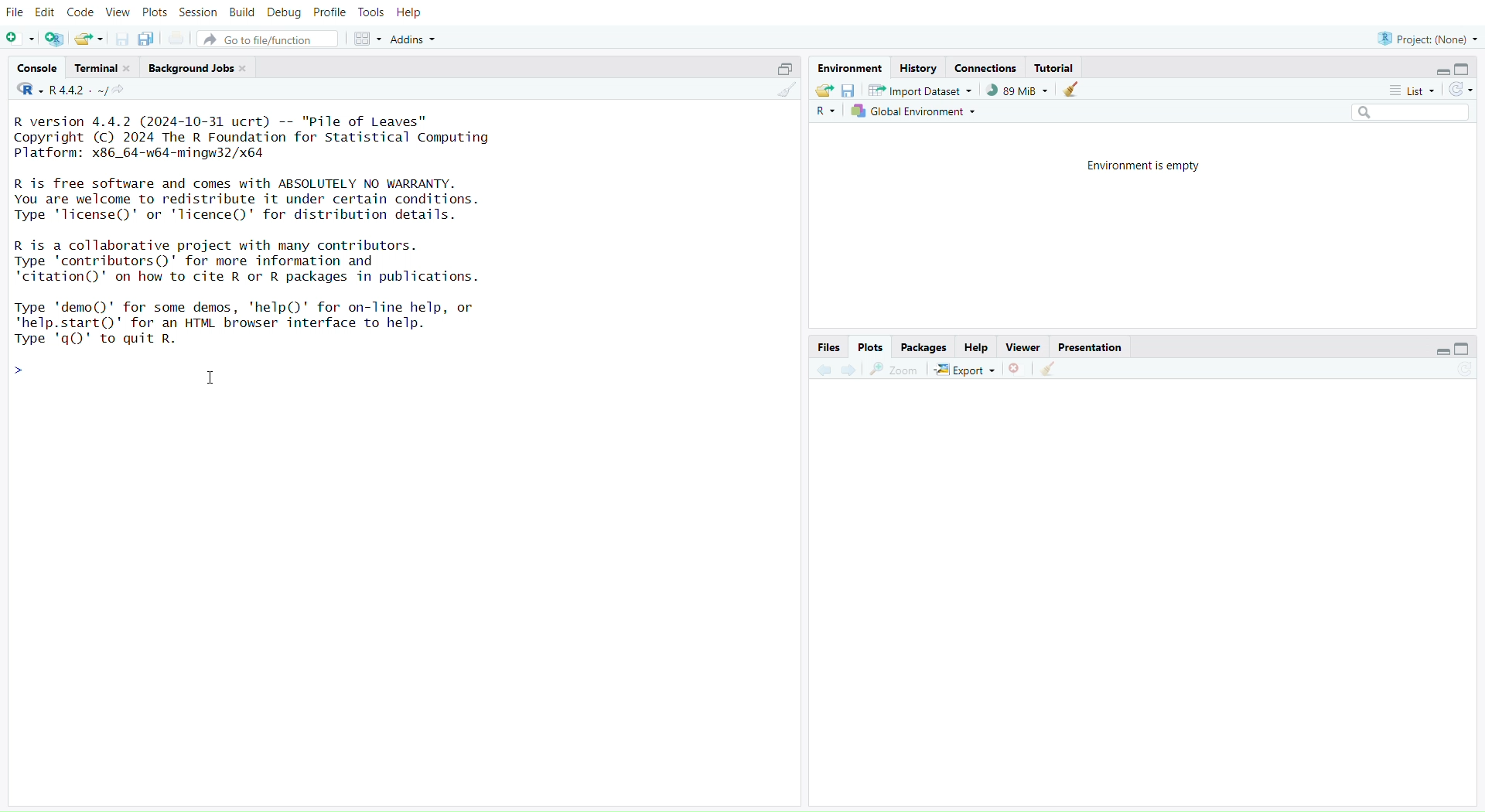 The height and width of the screenshot is (812, 1485). What do you see at coordinates (1090, 347) in the screenshot?
I see `Presentation` at bounding box center [1090, 347].